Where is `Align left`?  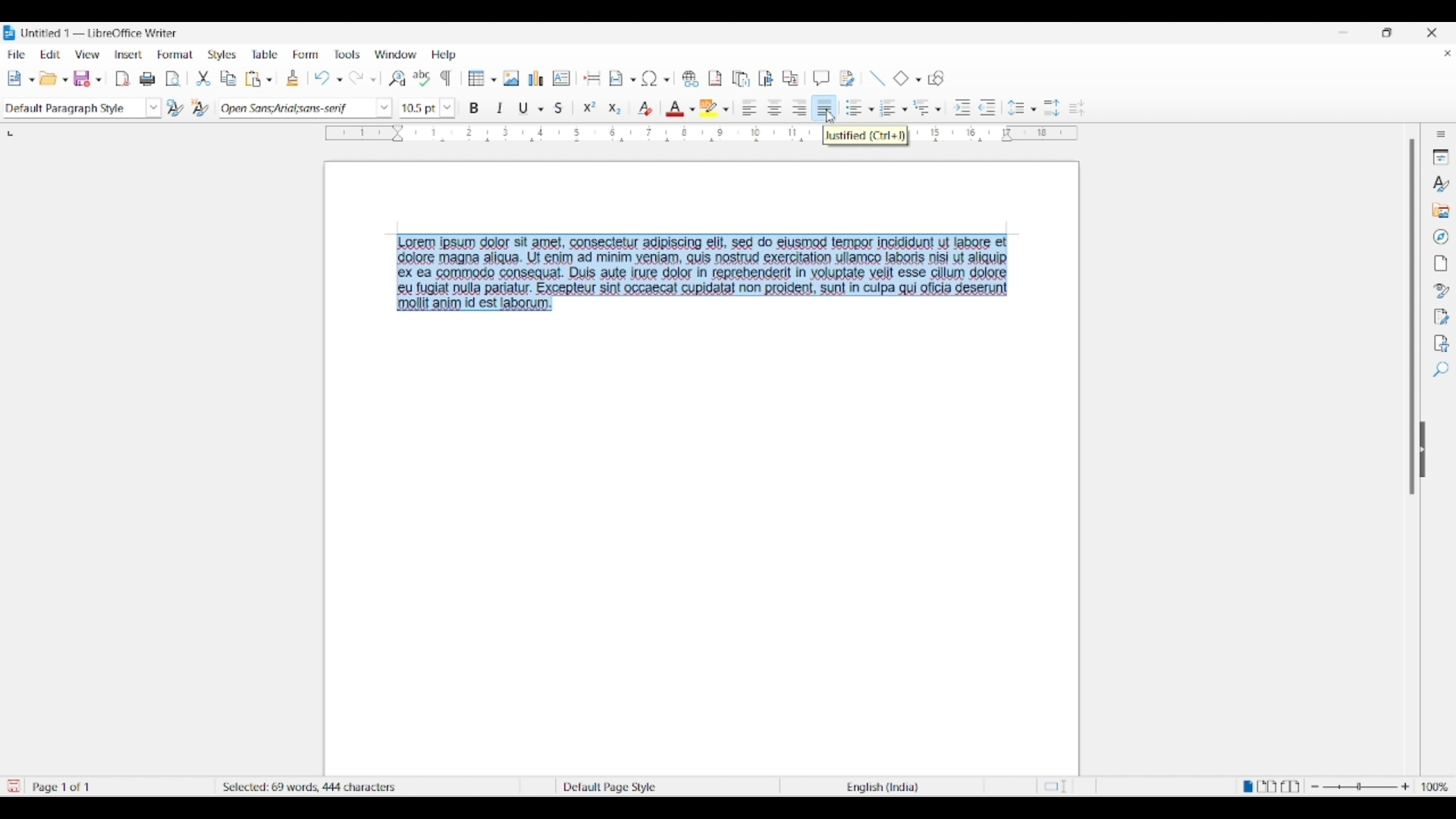 Align left is located at coordinates (750, 107).